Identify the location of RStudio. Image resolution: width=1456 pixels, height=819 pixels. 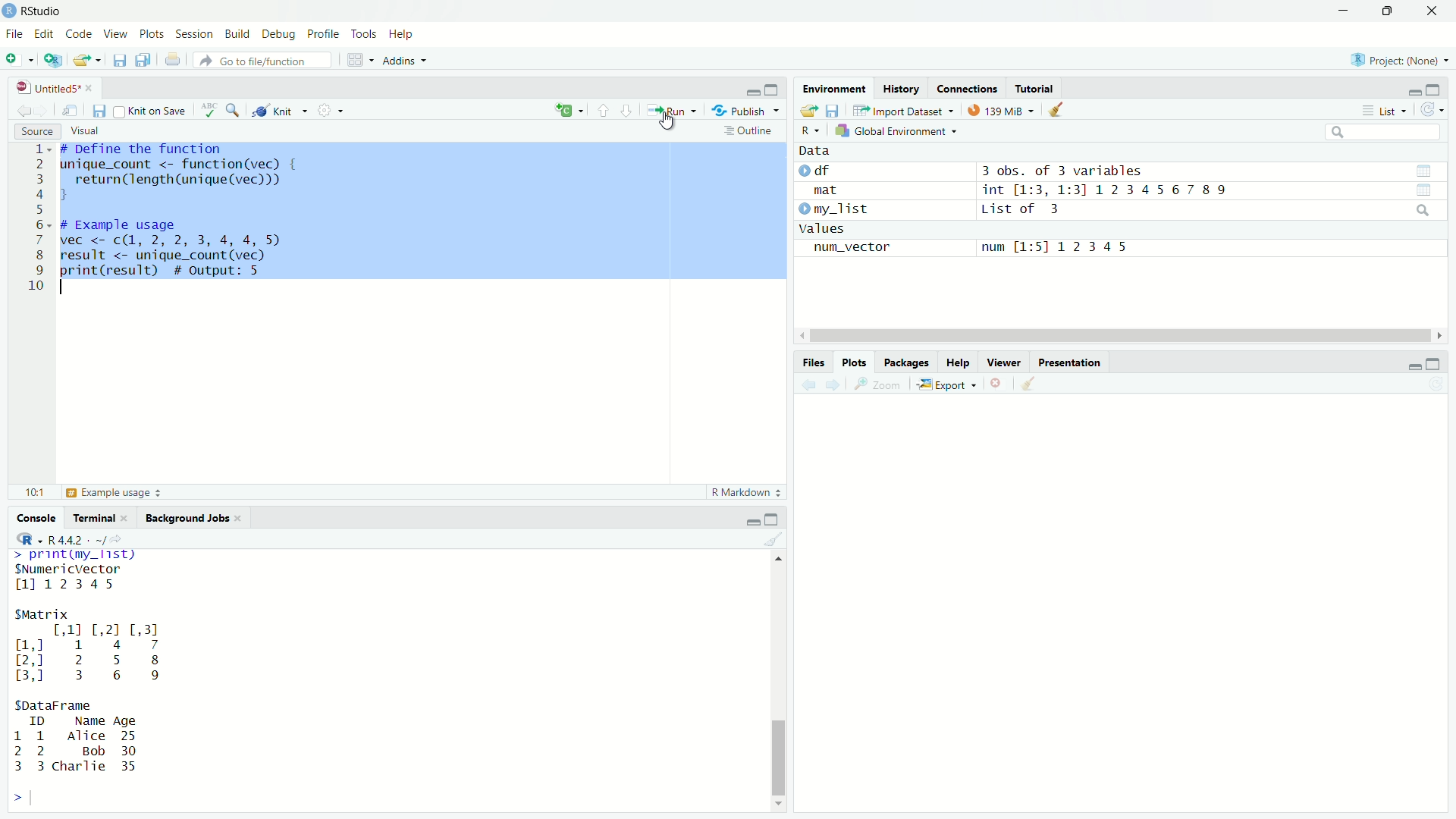
(43, 11).